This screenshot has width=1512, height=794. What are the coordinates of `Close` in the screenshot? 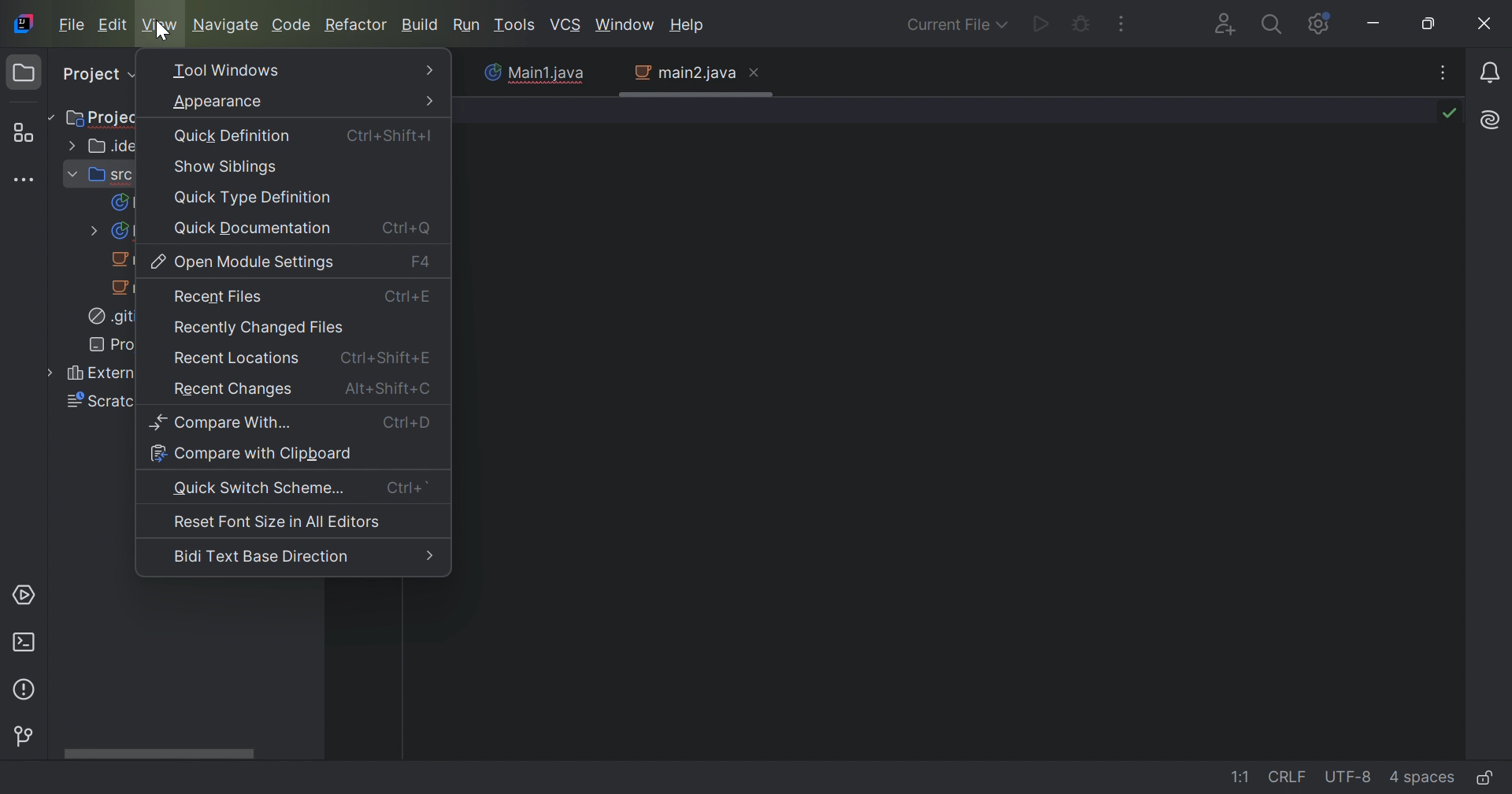 It's located at (1486, 24).